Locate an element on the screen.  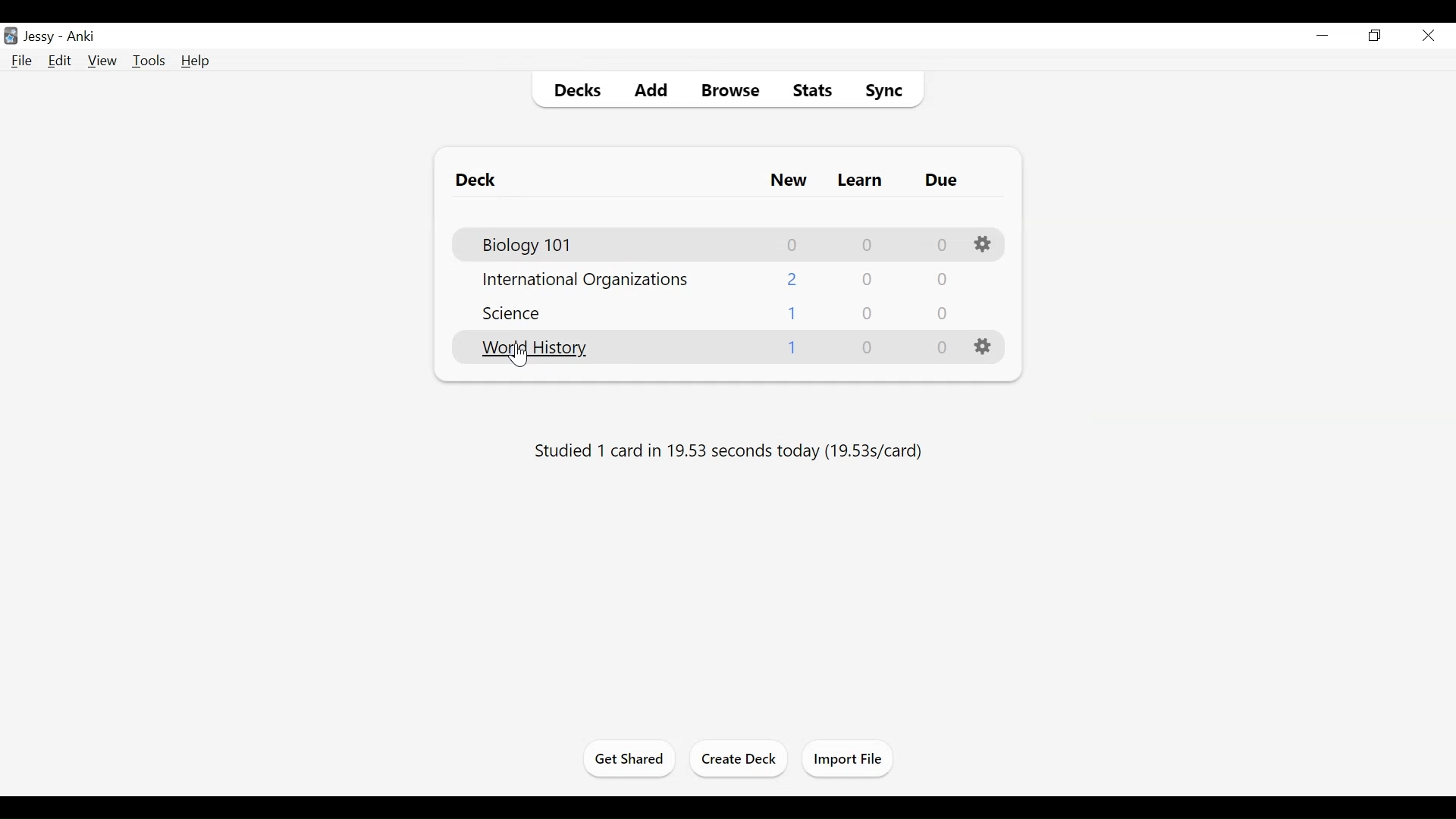
New Card Count is located at coordinates (792, 278).